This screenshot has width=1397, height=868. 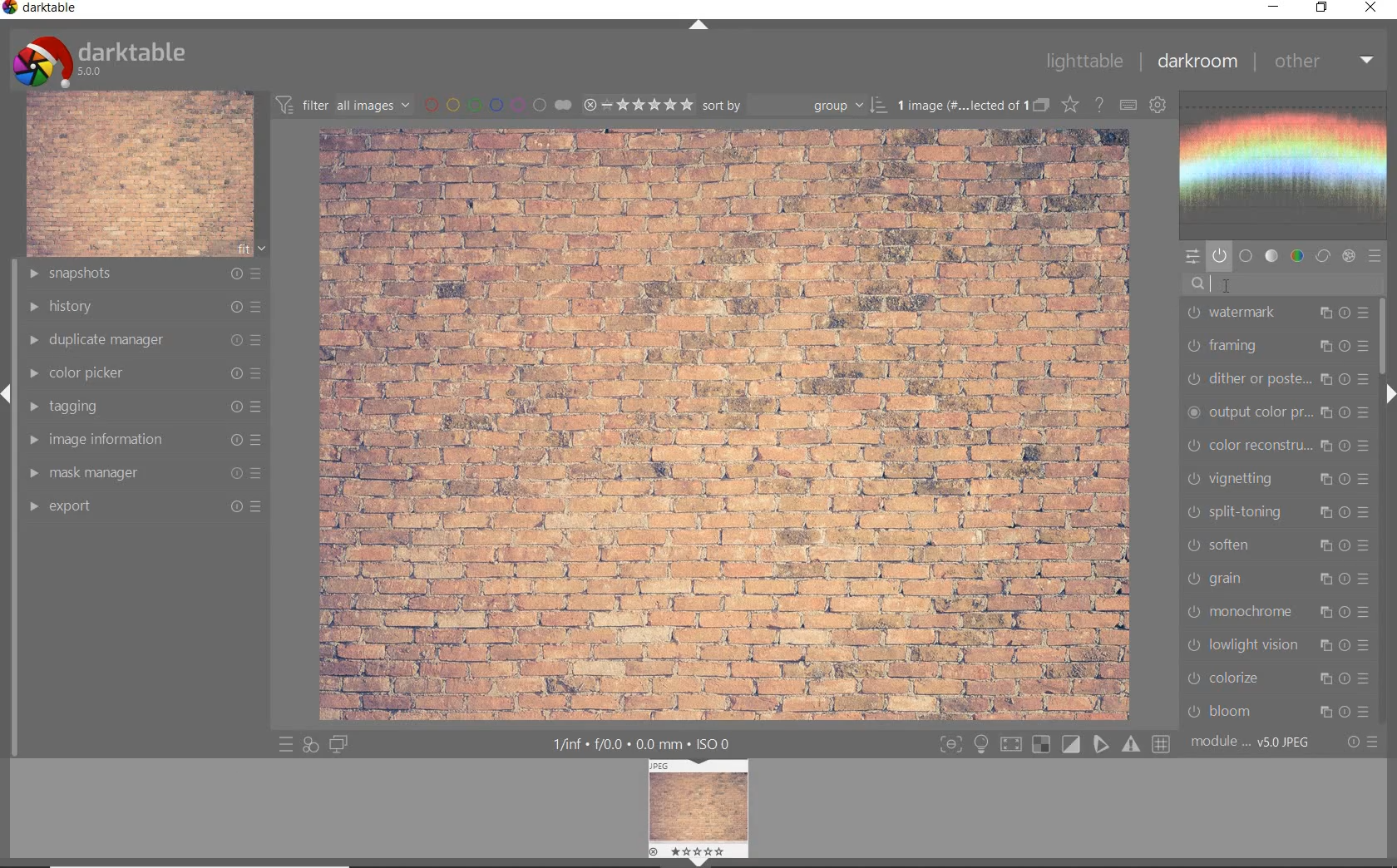 I want to click on darktable 5.0.0, so click(x=102, y=60).